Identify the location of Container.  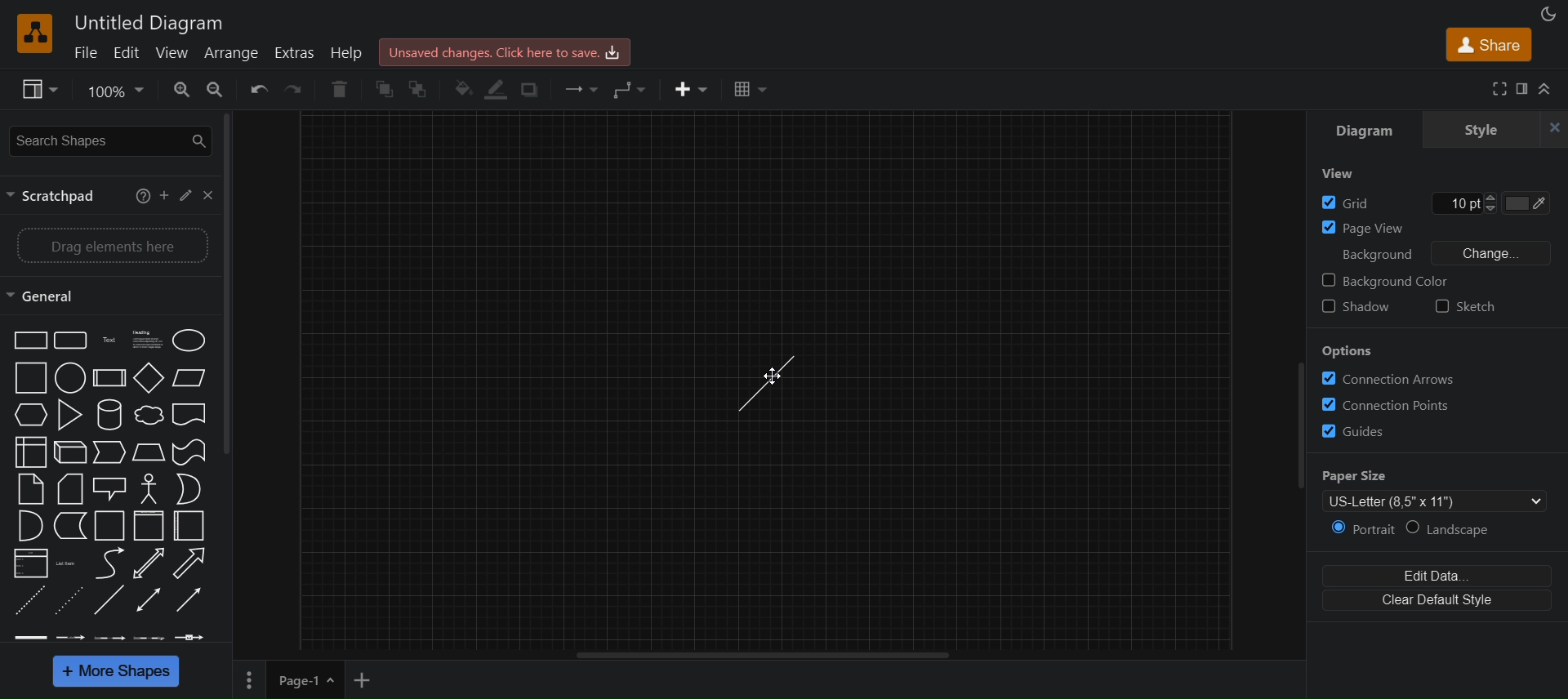
(106, 525).